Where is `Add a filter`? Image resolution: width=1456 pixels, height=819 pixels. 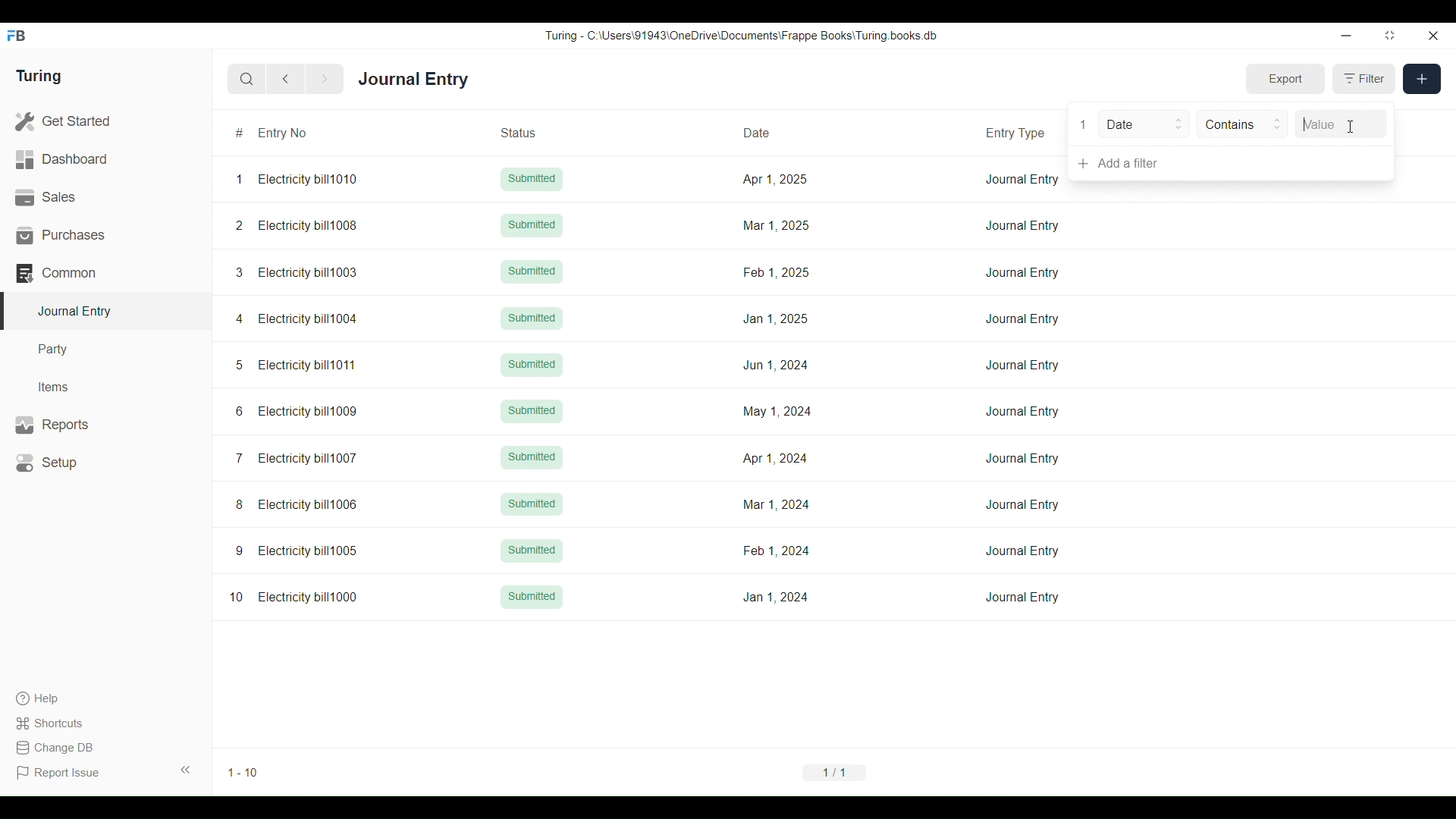 Add a filter is located at coordinates (1230, 164).